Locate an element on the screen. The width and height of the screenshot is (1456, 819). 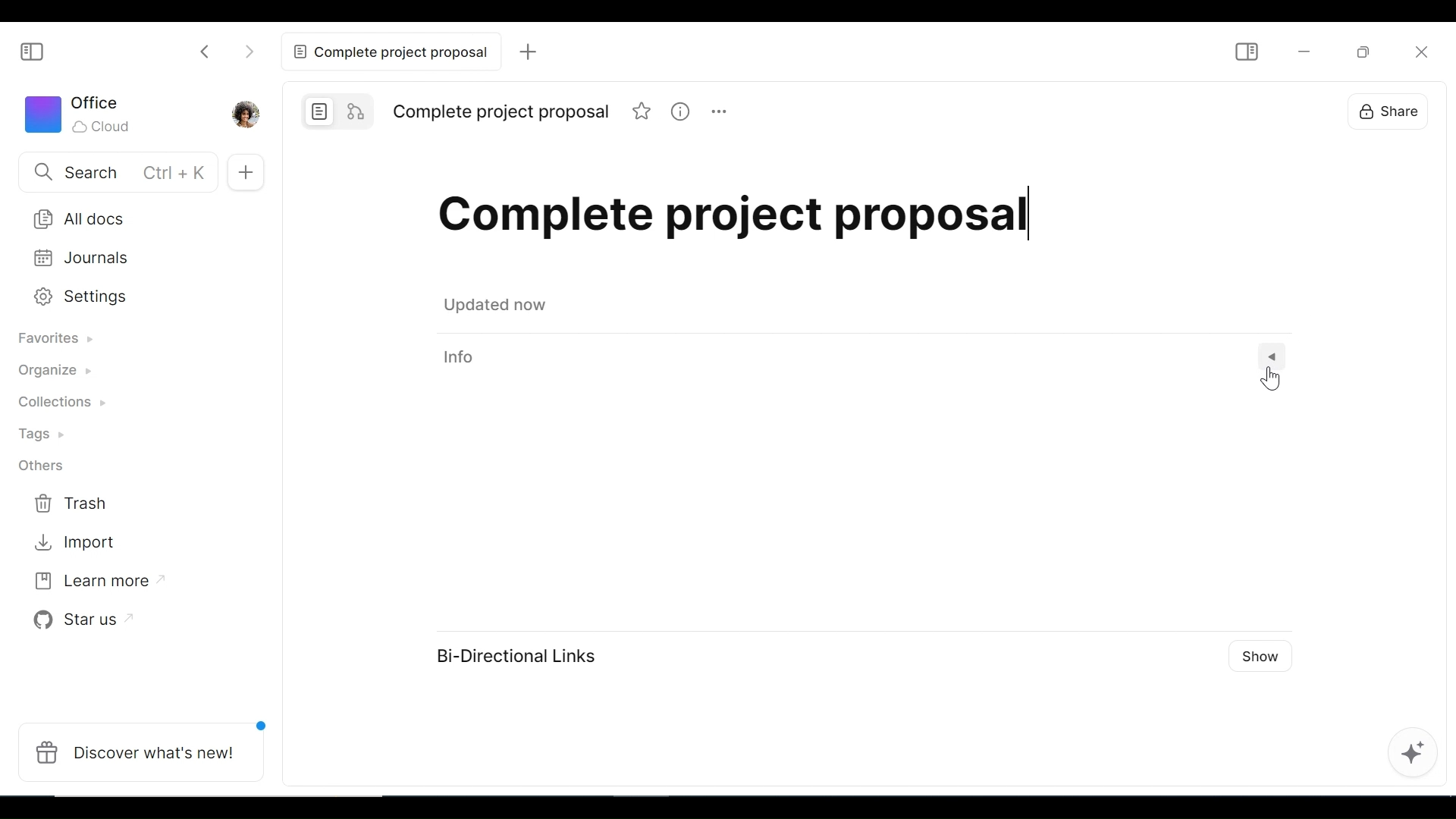
View Information is located at coordinates (863, 358).